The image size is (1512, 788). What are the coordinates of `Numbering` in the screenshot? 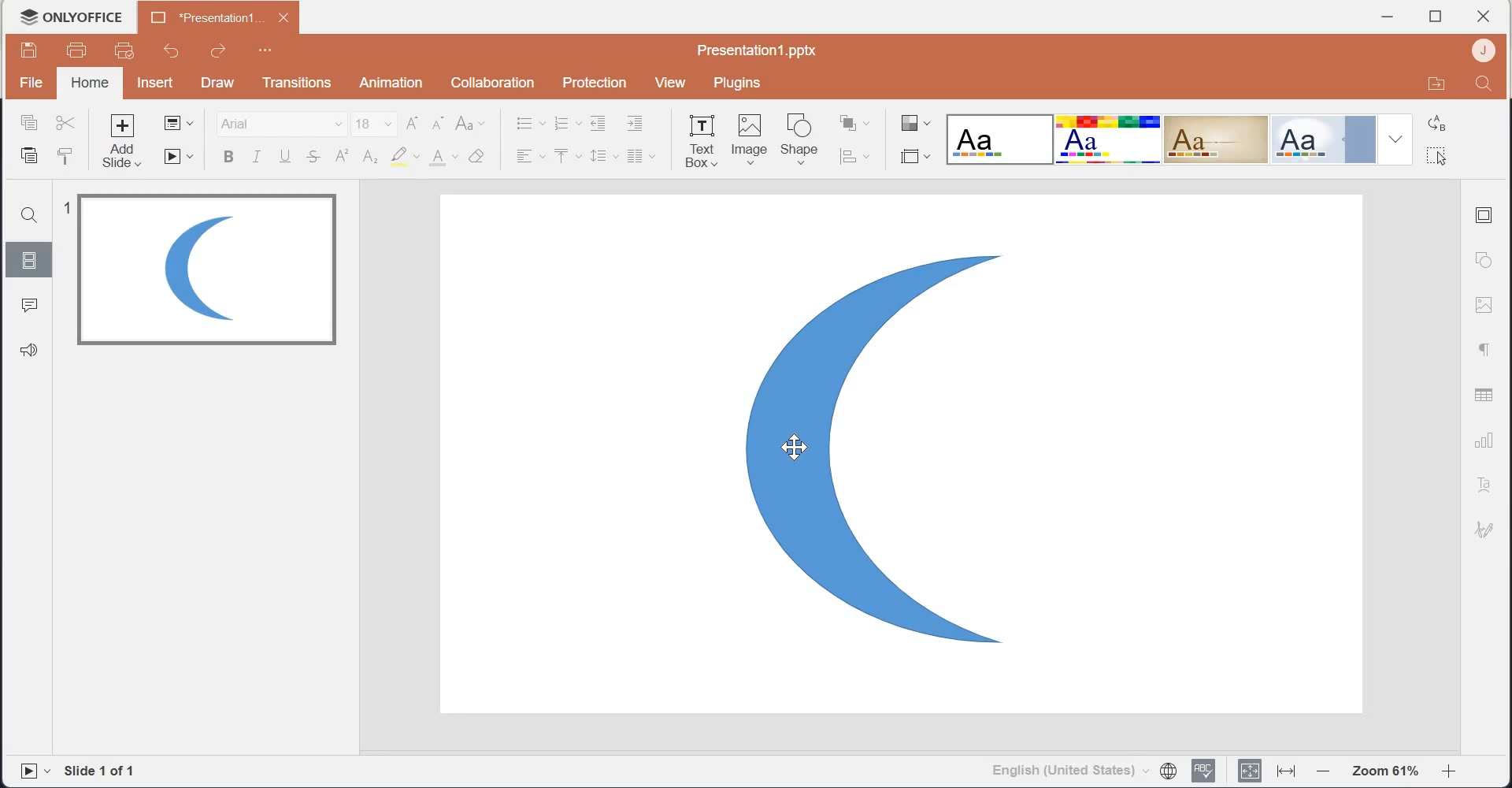 It's located at (566, 122).